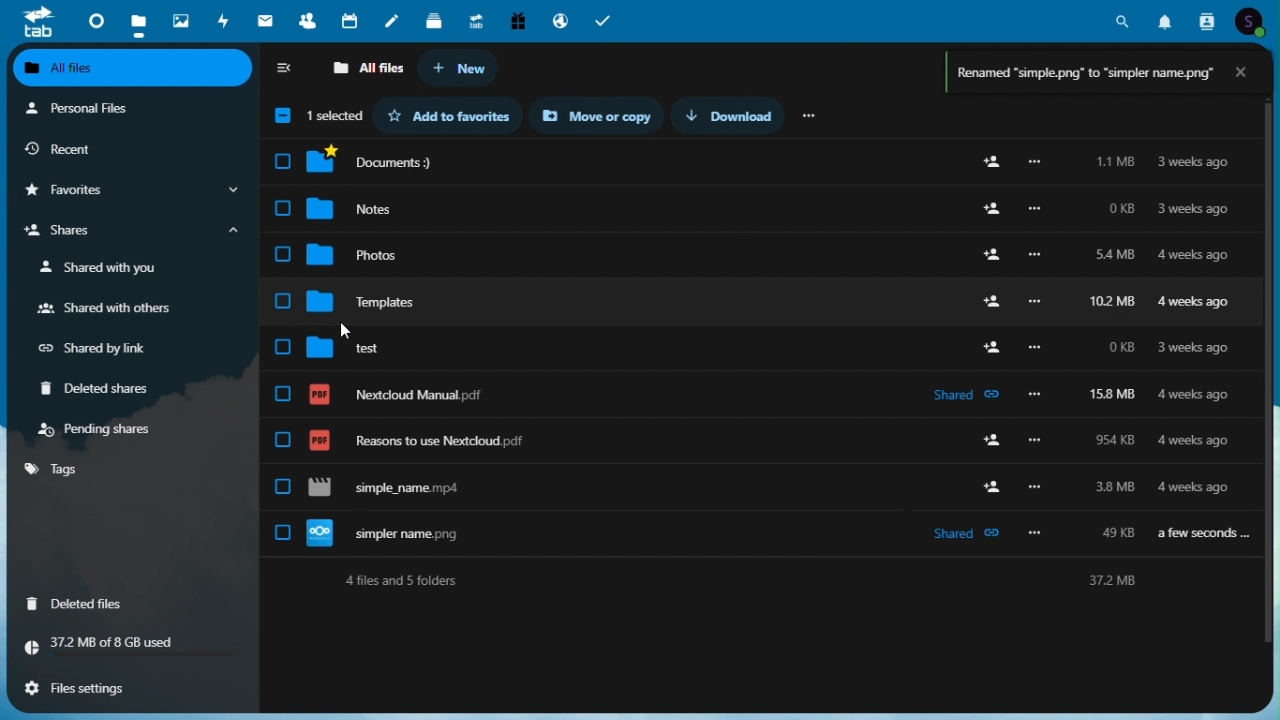 The width and height of the screenshot is (1280, 720). What do you see at coordinates (82, 602) in the screenshot?
I see `deleted files` at bounding box center [82, 602].